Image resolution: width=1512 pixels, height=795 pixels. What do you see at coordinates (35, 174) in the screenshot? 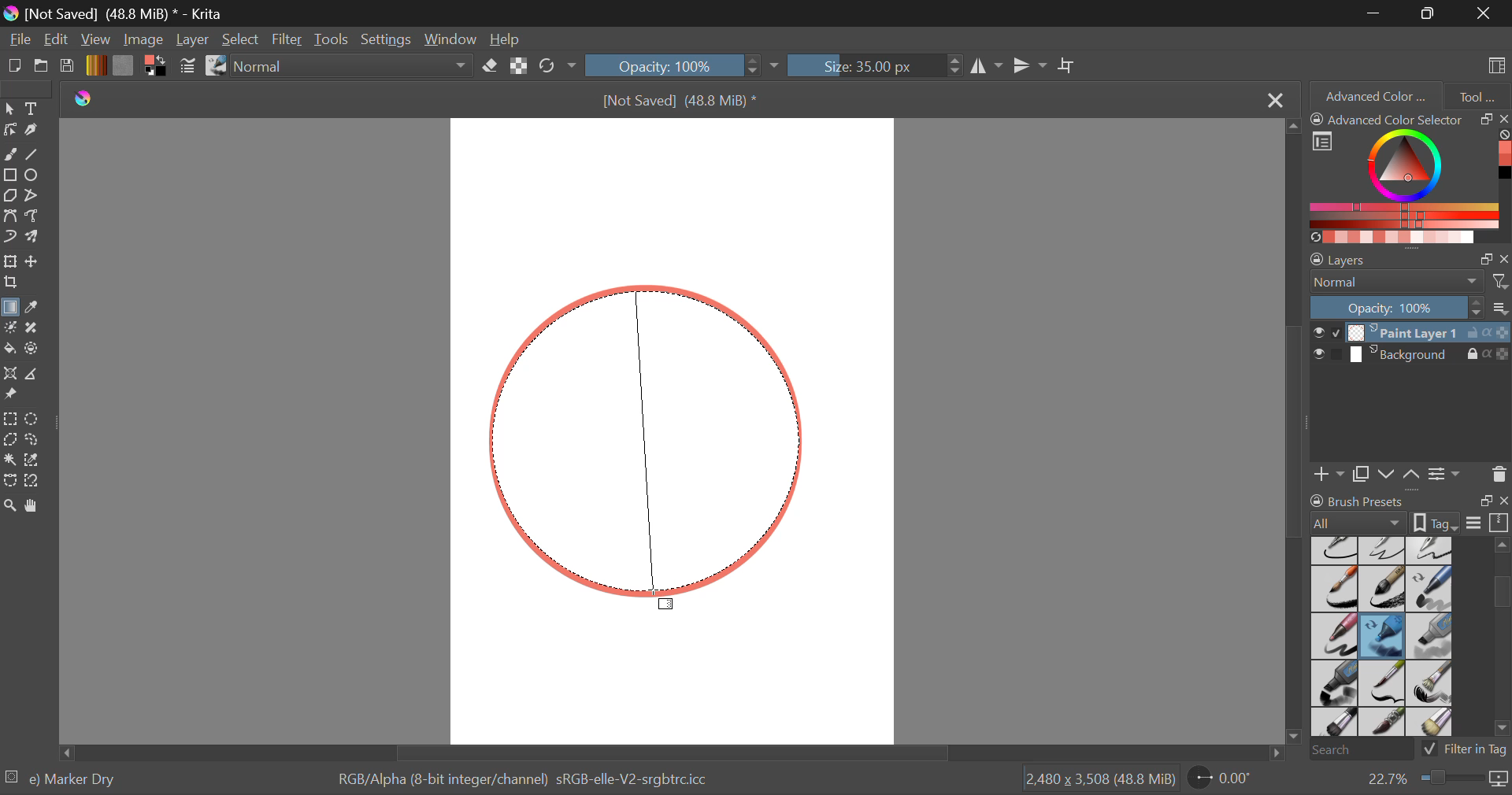
I see `Elipses Selected` at bounding box center [35, 174].